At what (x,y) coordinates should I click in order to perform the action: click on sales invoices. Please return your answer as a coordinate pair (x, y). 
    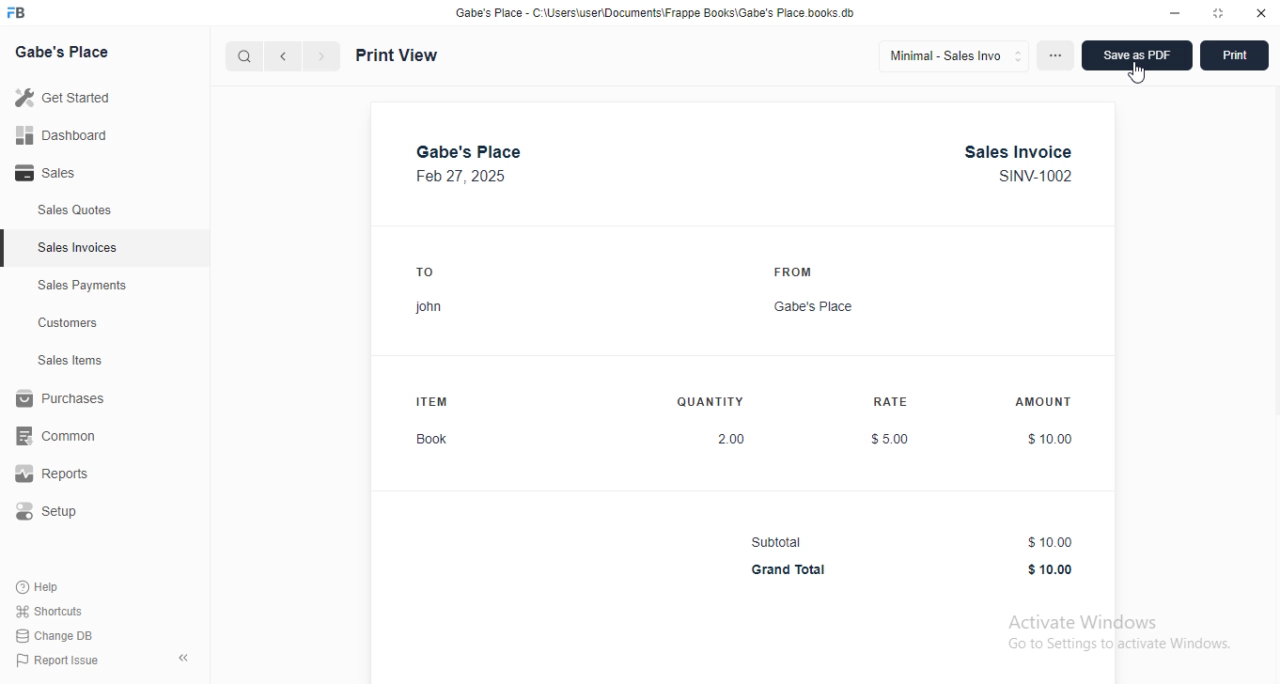
    Looking at the image, I should click on (78, 248).